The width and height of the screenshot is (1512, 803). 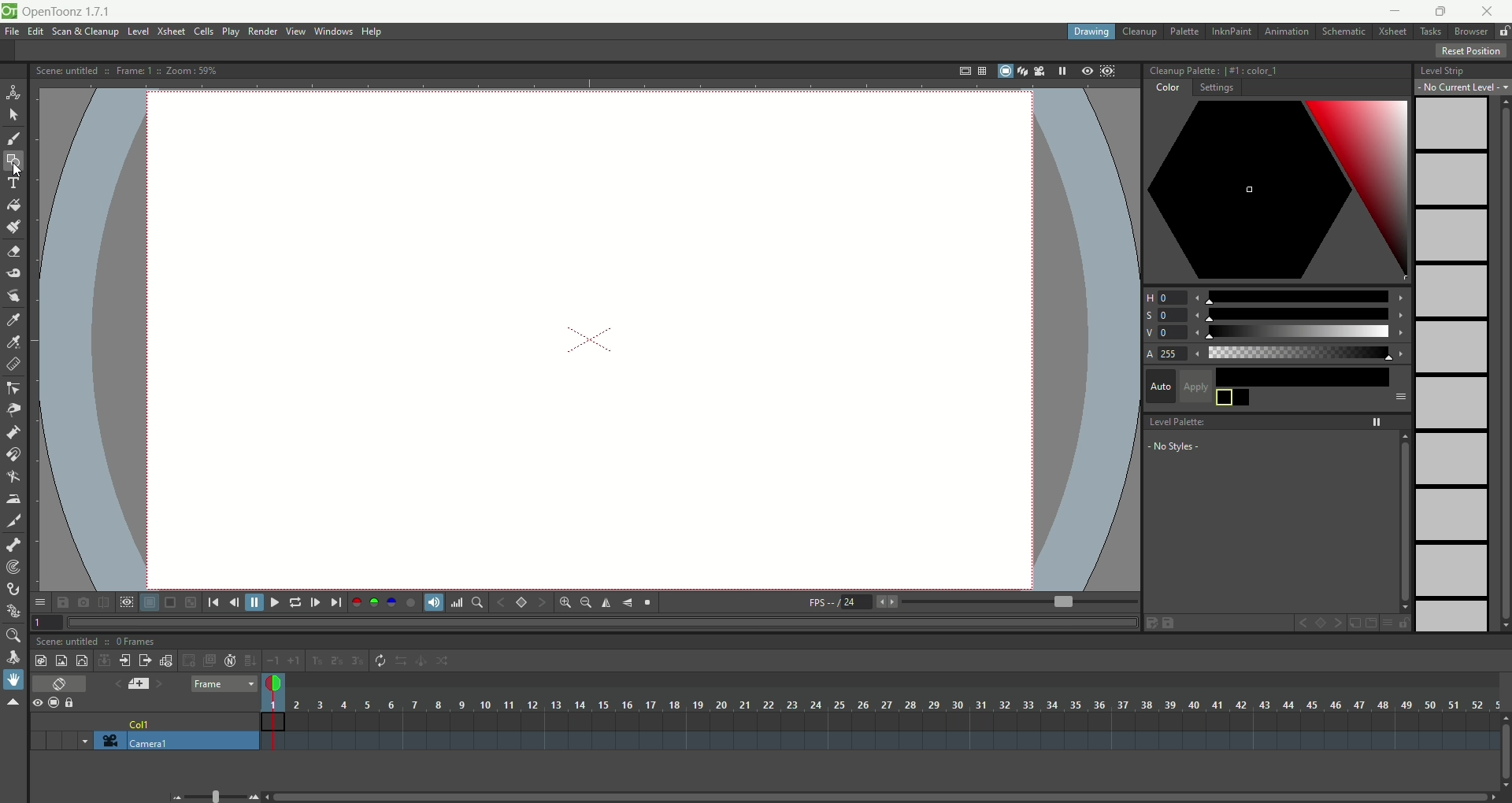 What do you see at coordinates (1403, 521) in the screenshot?
I see `verical scrollbar` at bounding box center [1403, 521].